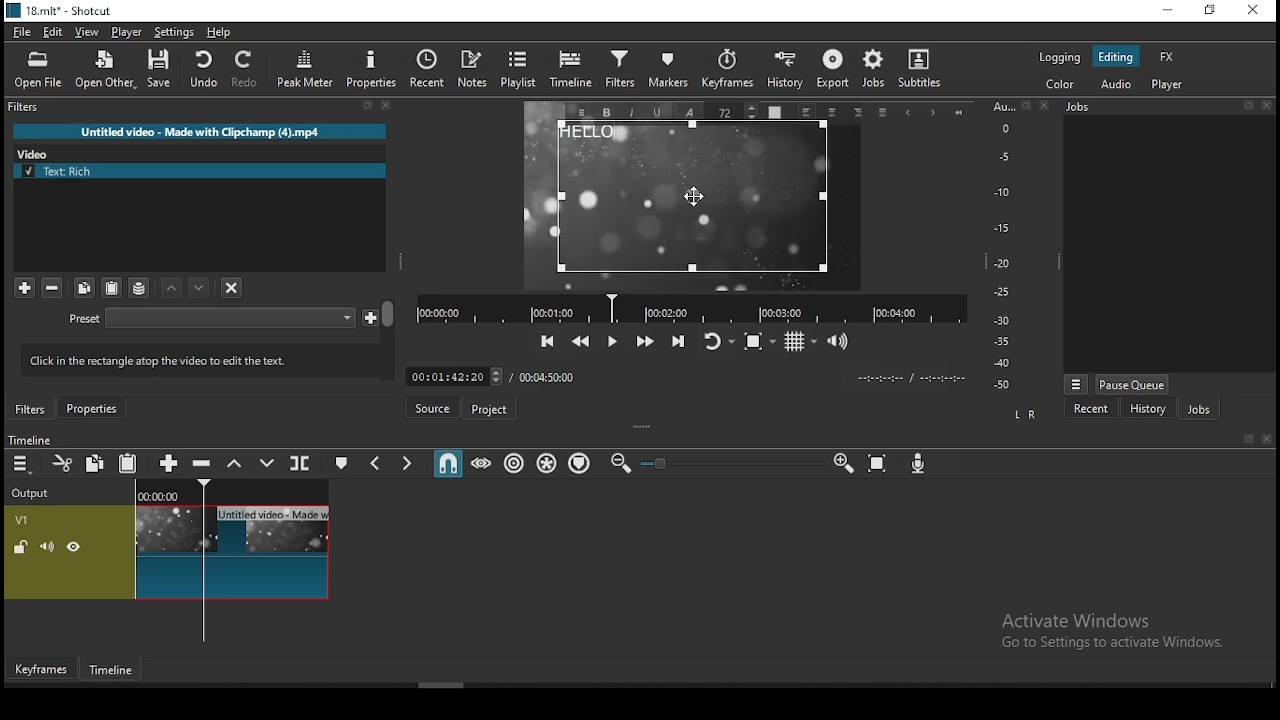  Describe the element at coordinates (42, 669) in the screenshot. I see `keyframes` at that location.